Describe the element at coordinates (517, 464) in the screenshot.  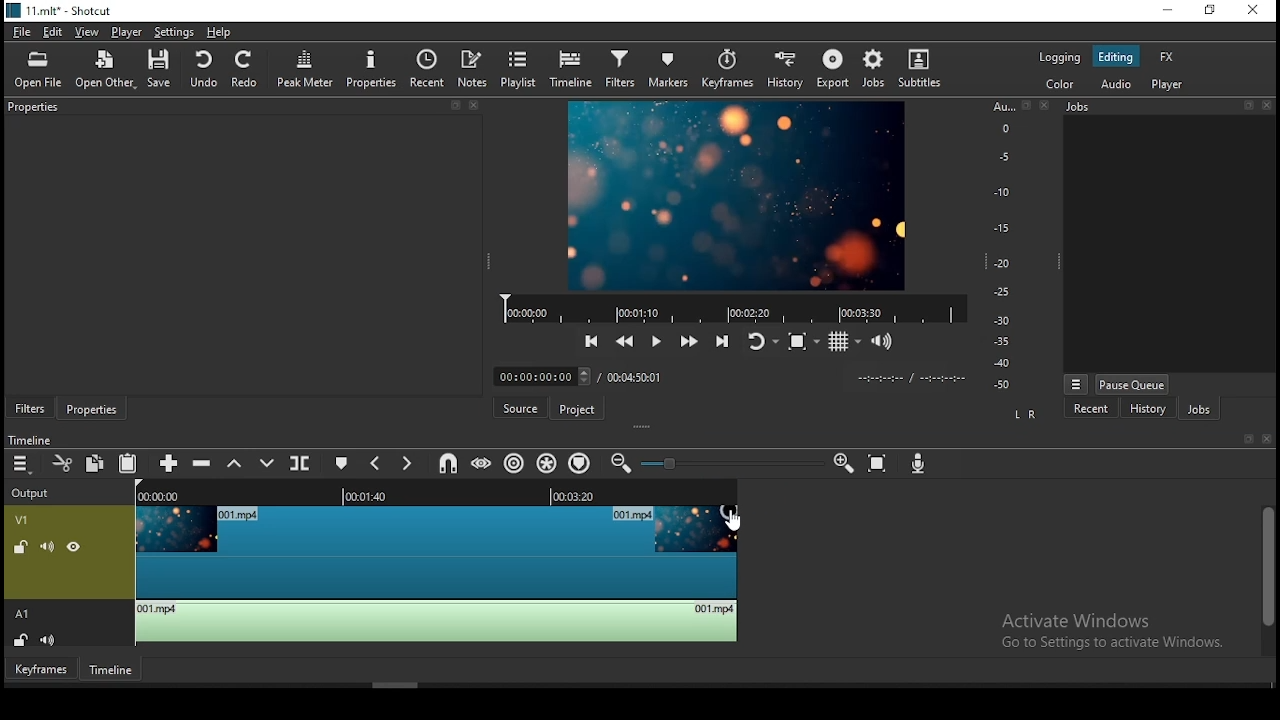
I see `ripple` at that location.